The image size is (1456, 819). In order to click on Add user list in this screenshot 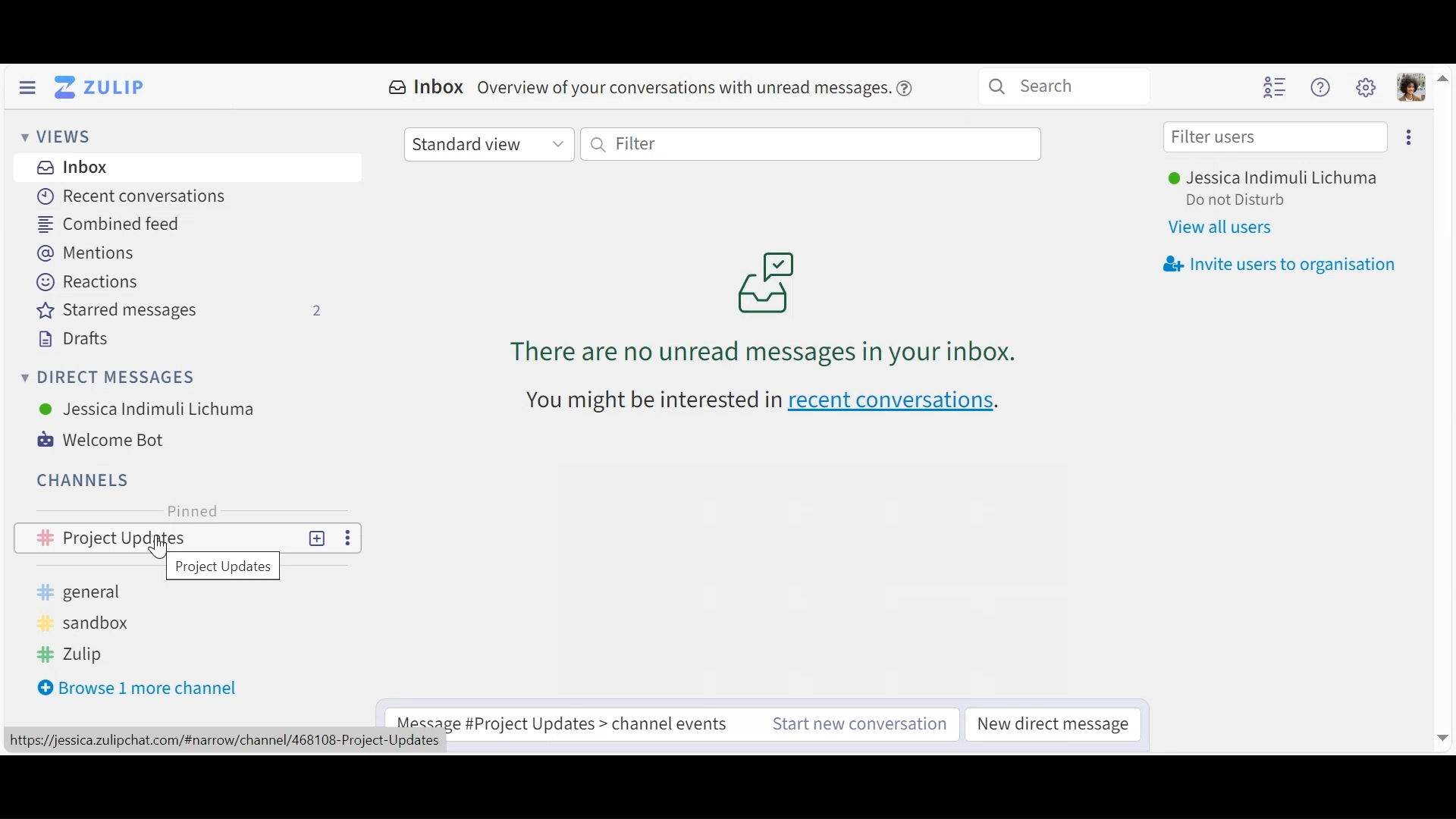, I will do `click(1276, 86)`.